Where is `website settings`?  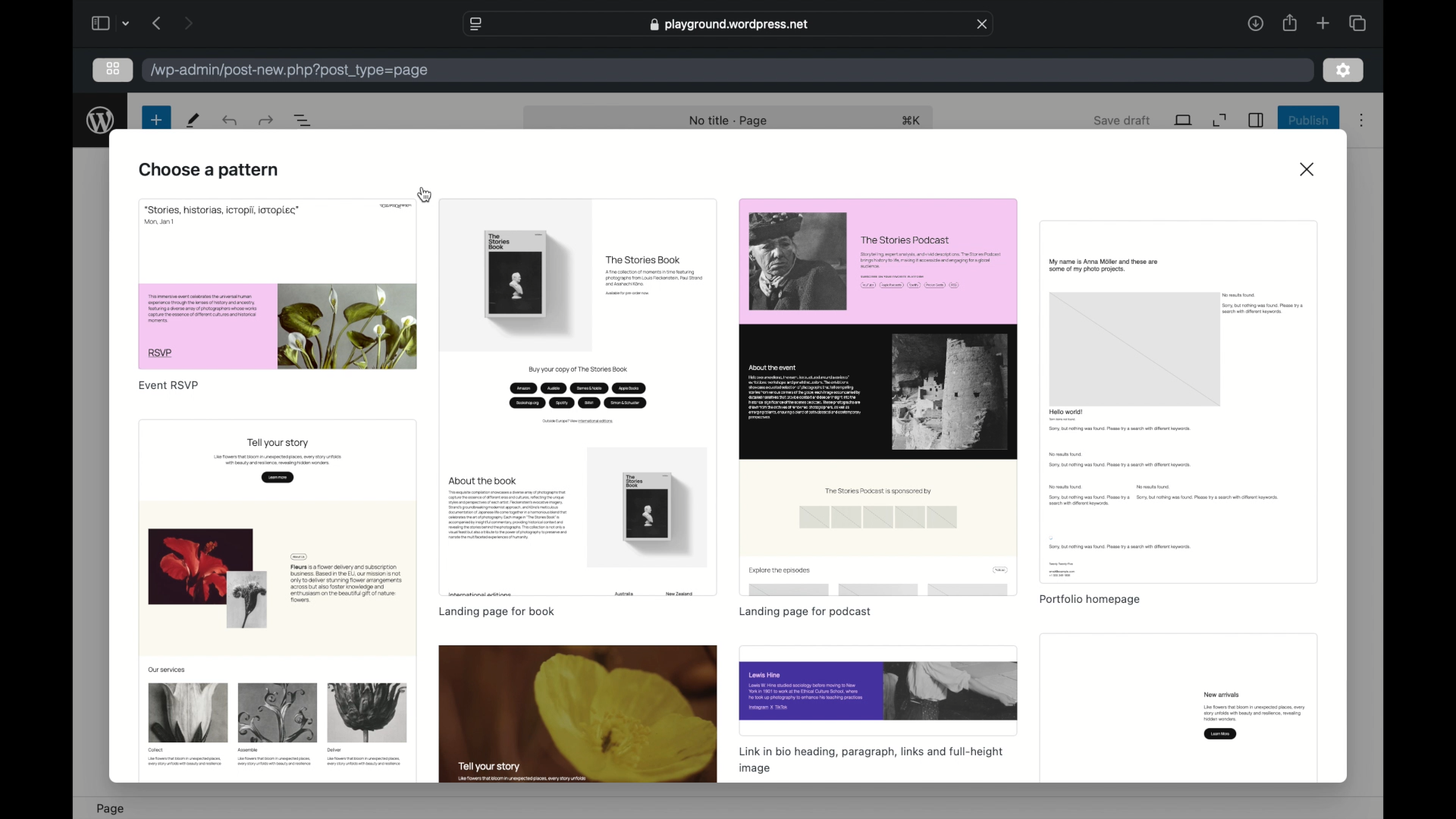
website settings is located at coordinates (475, 23).